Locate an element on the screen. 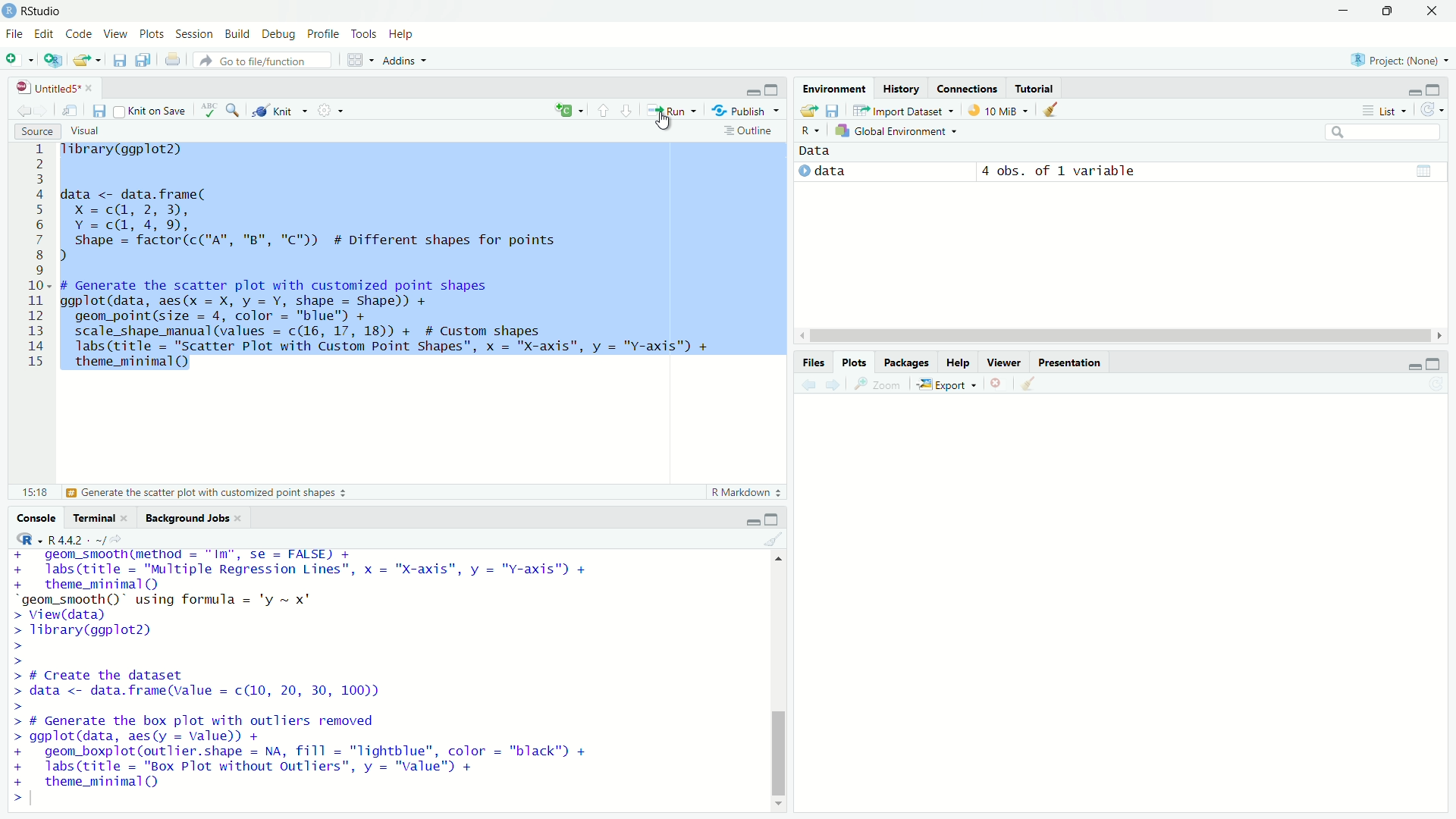 This screenshot has width=1456, height=819. Load workspace is located at coordinates (809, 111).